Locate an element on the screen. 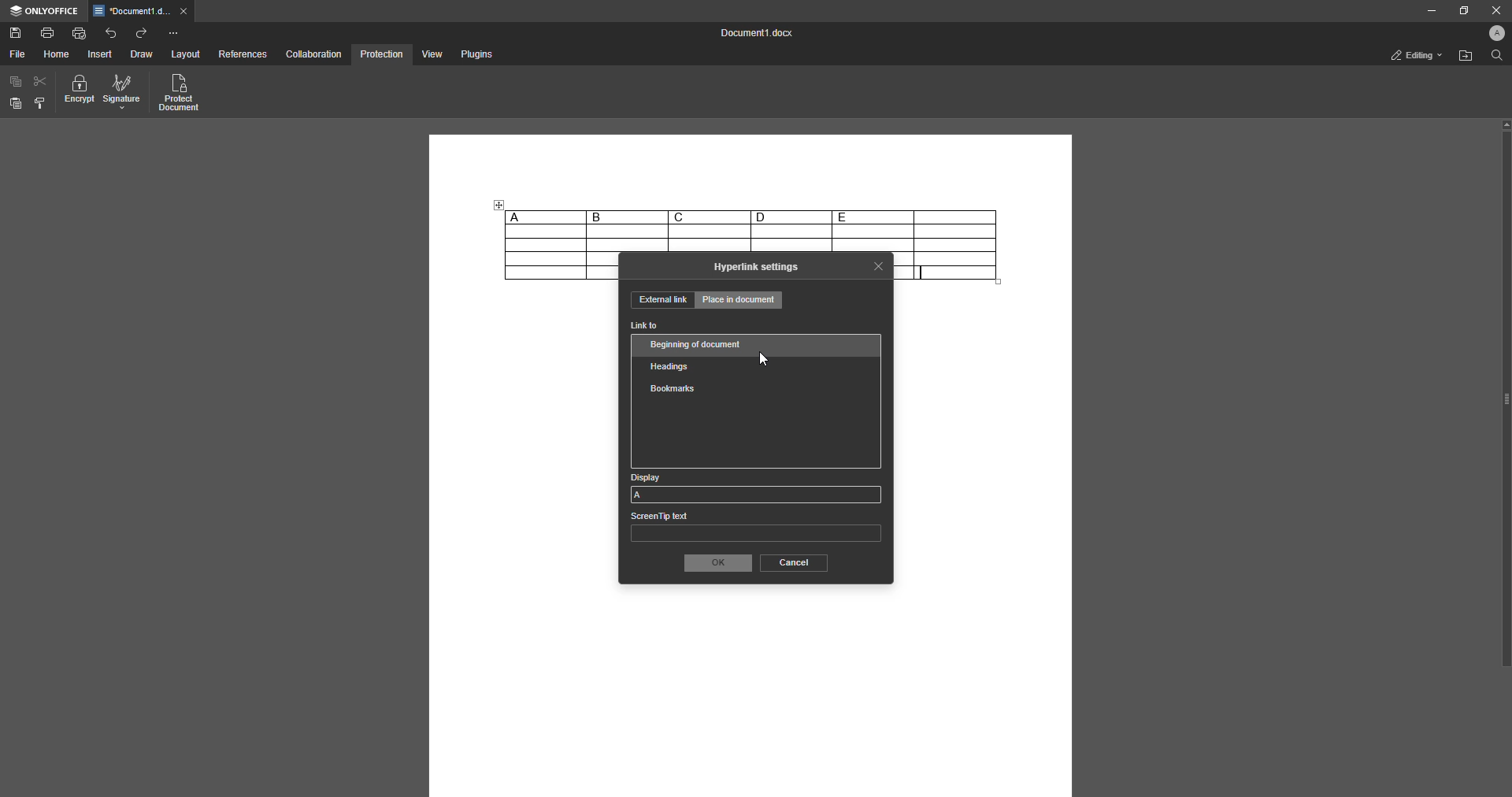 The image size is (1512, 797). Tab 1 is located at coordinates (143, 12).